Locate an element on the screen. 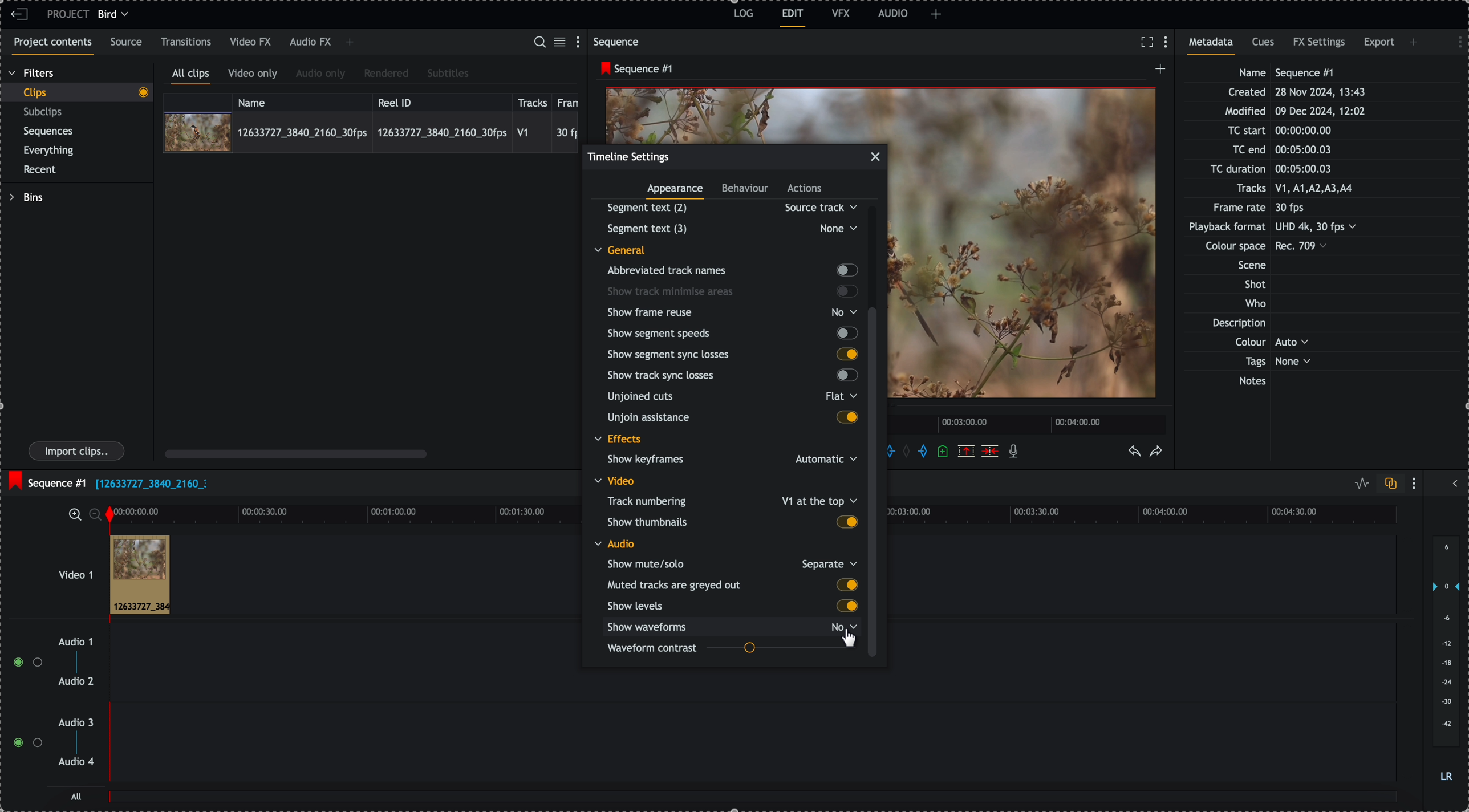 Image resolution: width=1469 pixels, height=812 pixels. show segment speeds is located at coordinates (731, 333).